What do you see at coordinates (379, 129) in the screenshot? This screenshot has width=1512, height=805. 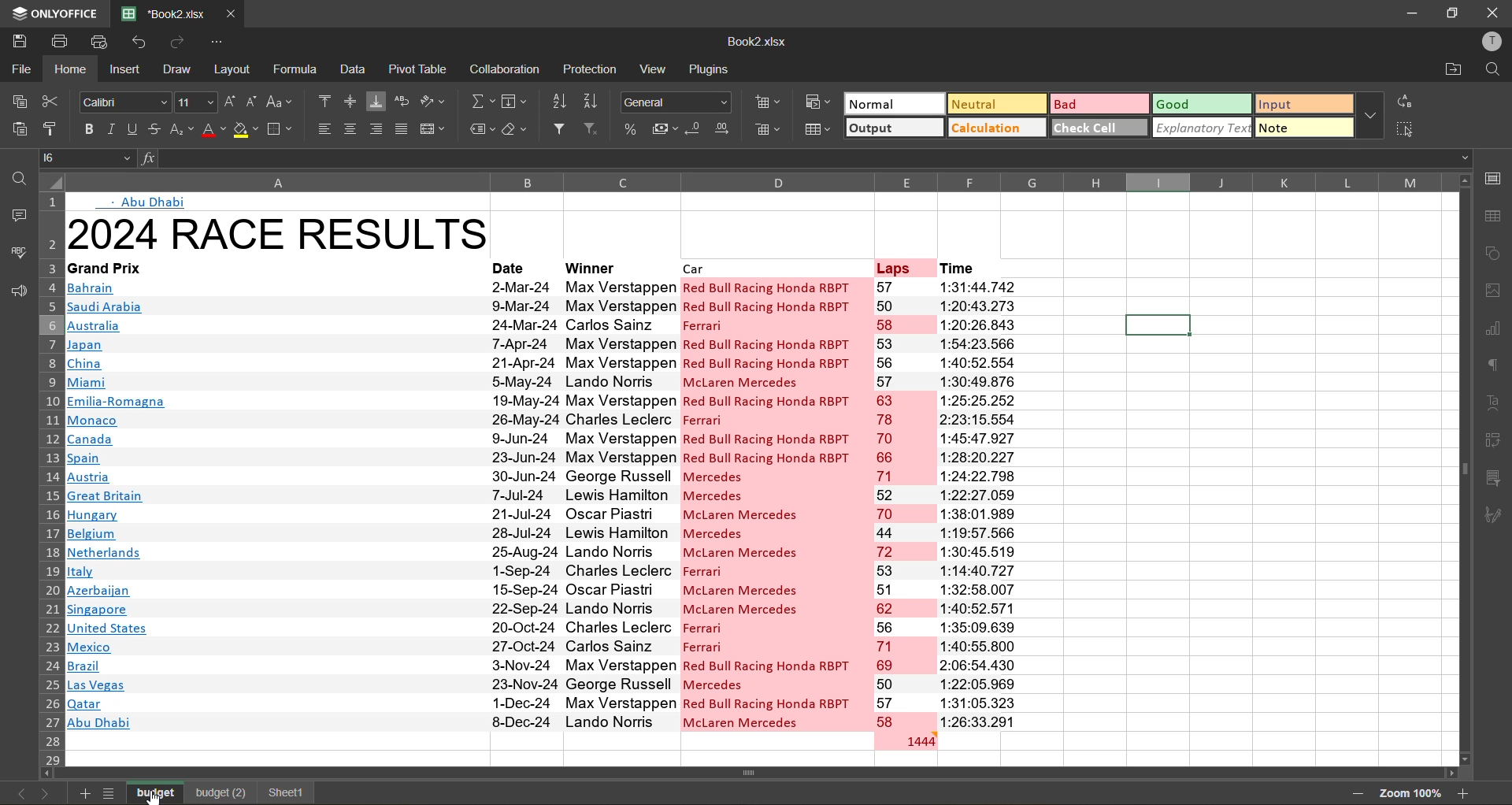 I see `align right` at bounding box center [379, 129].